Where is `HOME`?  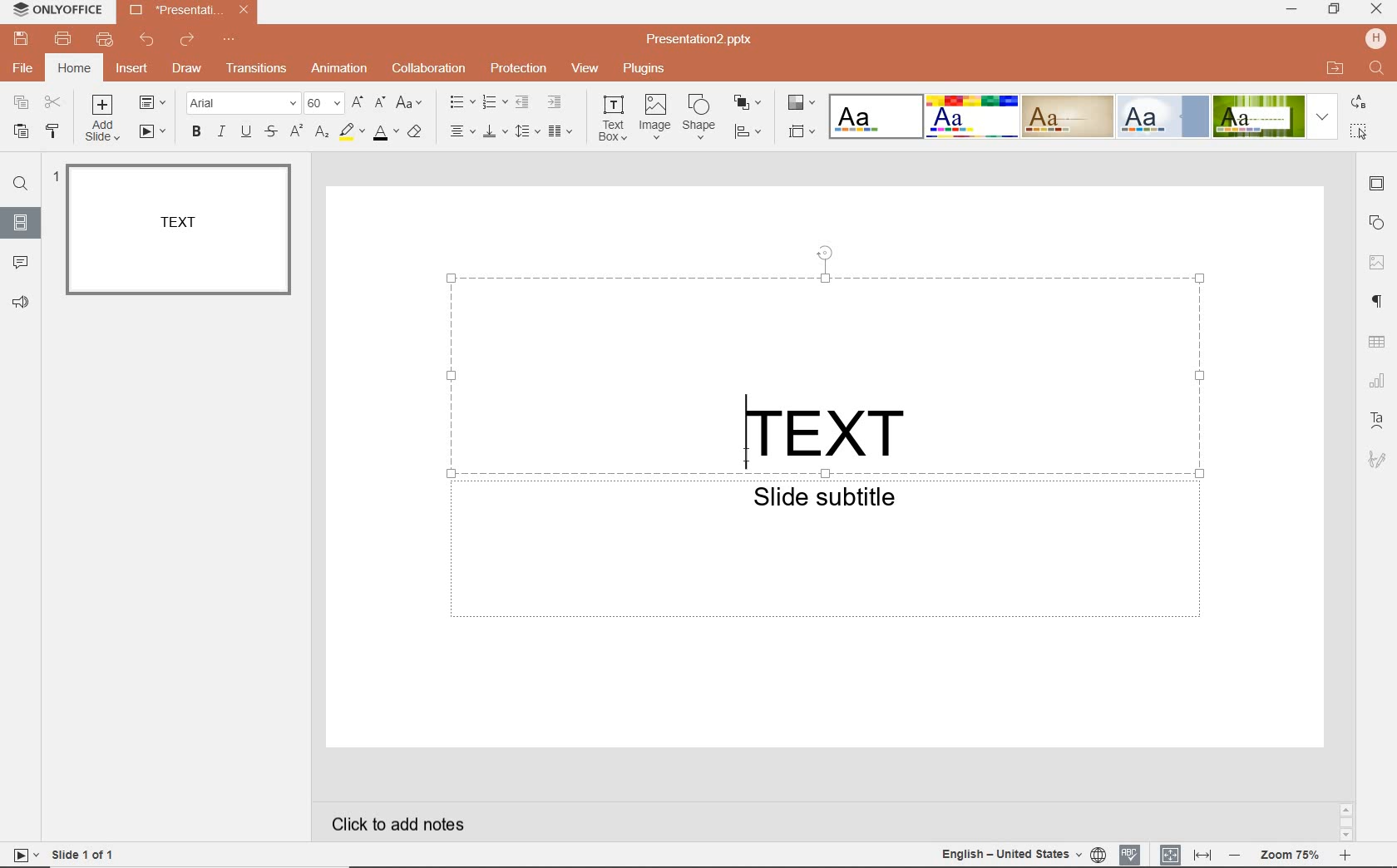 HOME is located at coordinates (73, 70).